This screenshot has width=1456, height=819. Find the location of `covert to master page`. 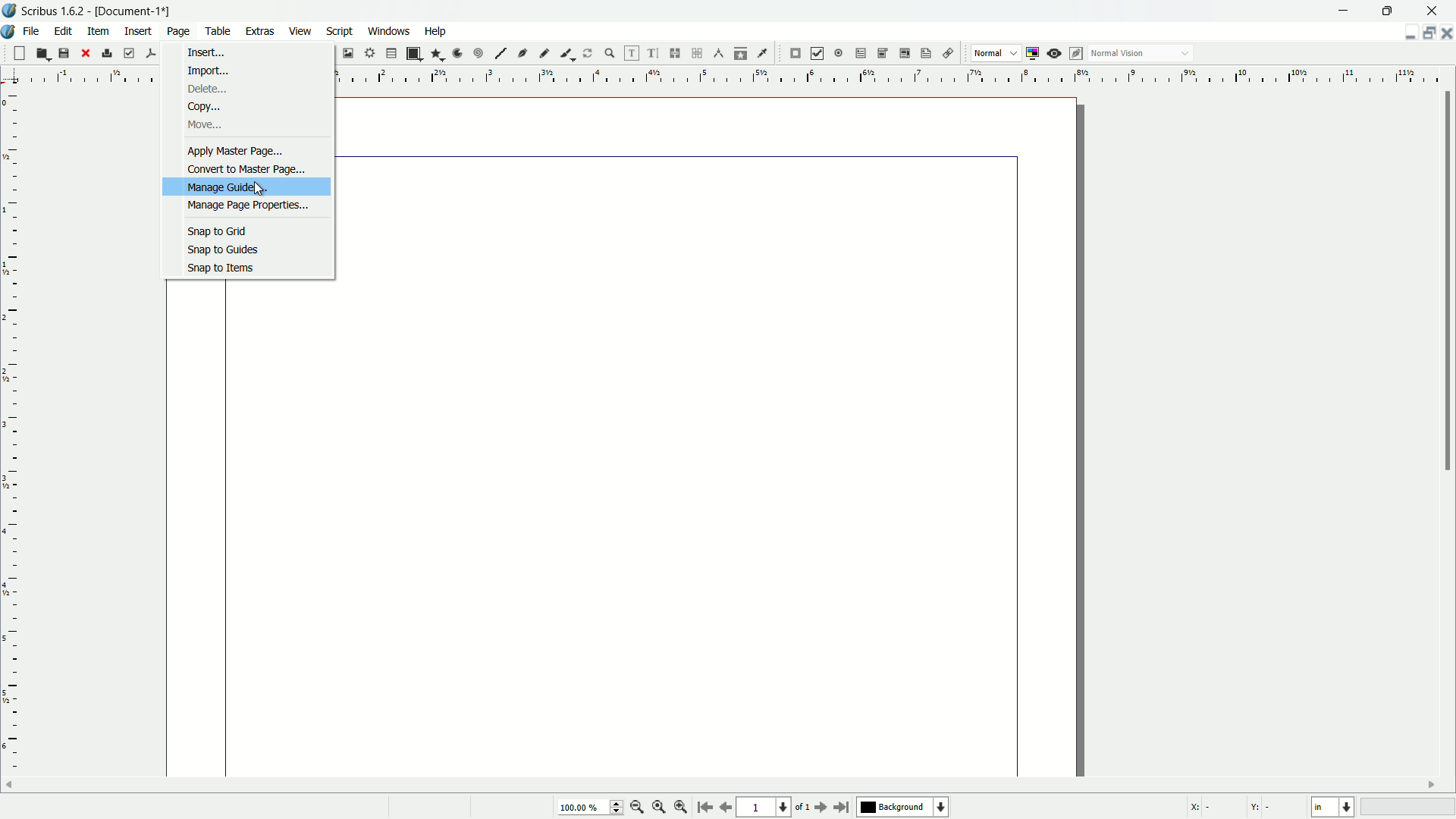

covert to master page is located at coordinates (248, 168).